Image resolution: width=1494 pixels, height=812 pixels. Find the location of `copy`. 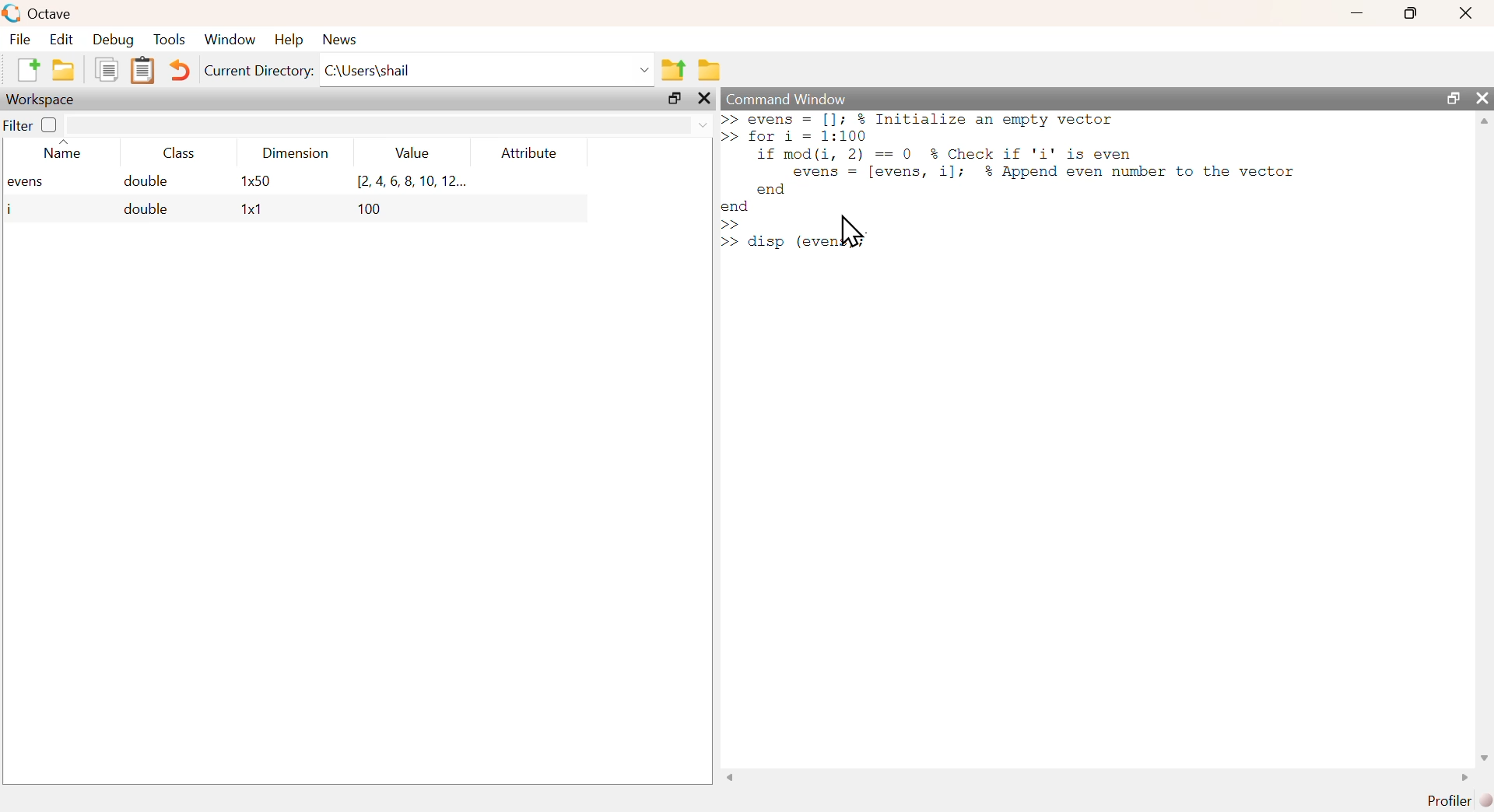

copy is located at coordinates (105, 72).